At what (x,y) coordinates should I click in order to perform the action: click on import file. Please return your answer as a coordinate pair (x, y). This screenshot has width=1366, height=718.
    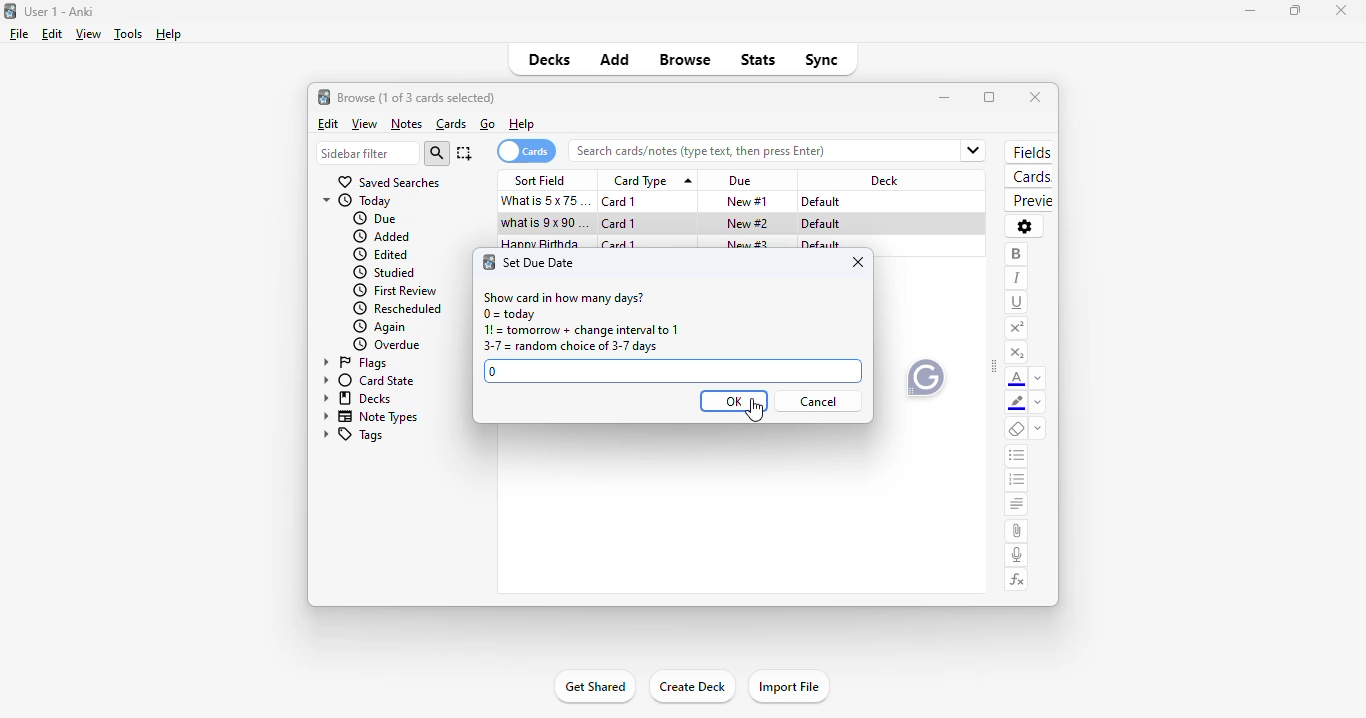
    Looking at the image, I should click on (790, 686).